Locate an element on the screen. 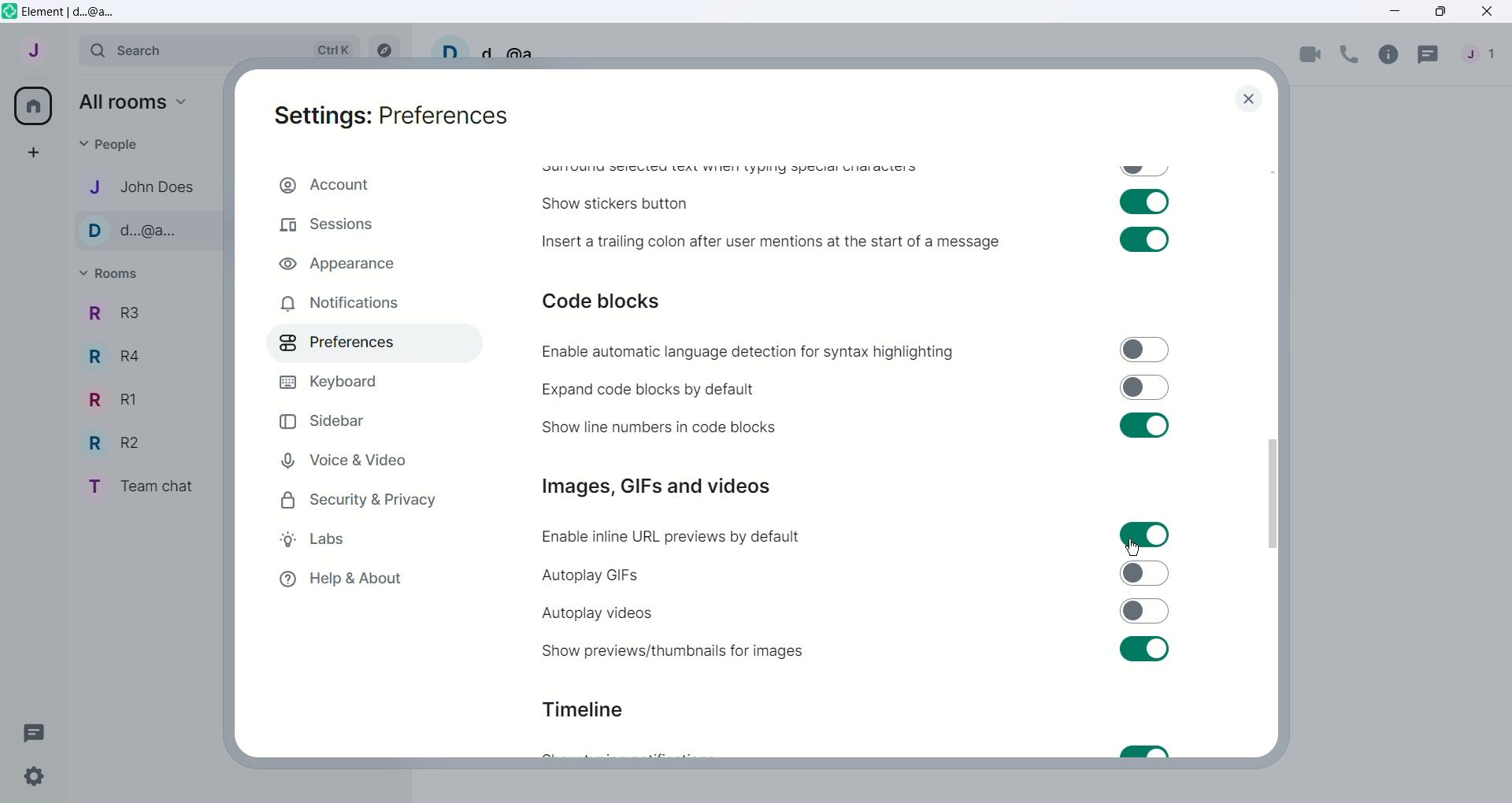  R3 - Room Name is located at coordinates (112, 314).